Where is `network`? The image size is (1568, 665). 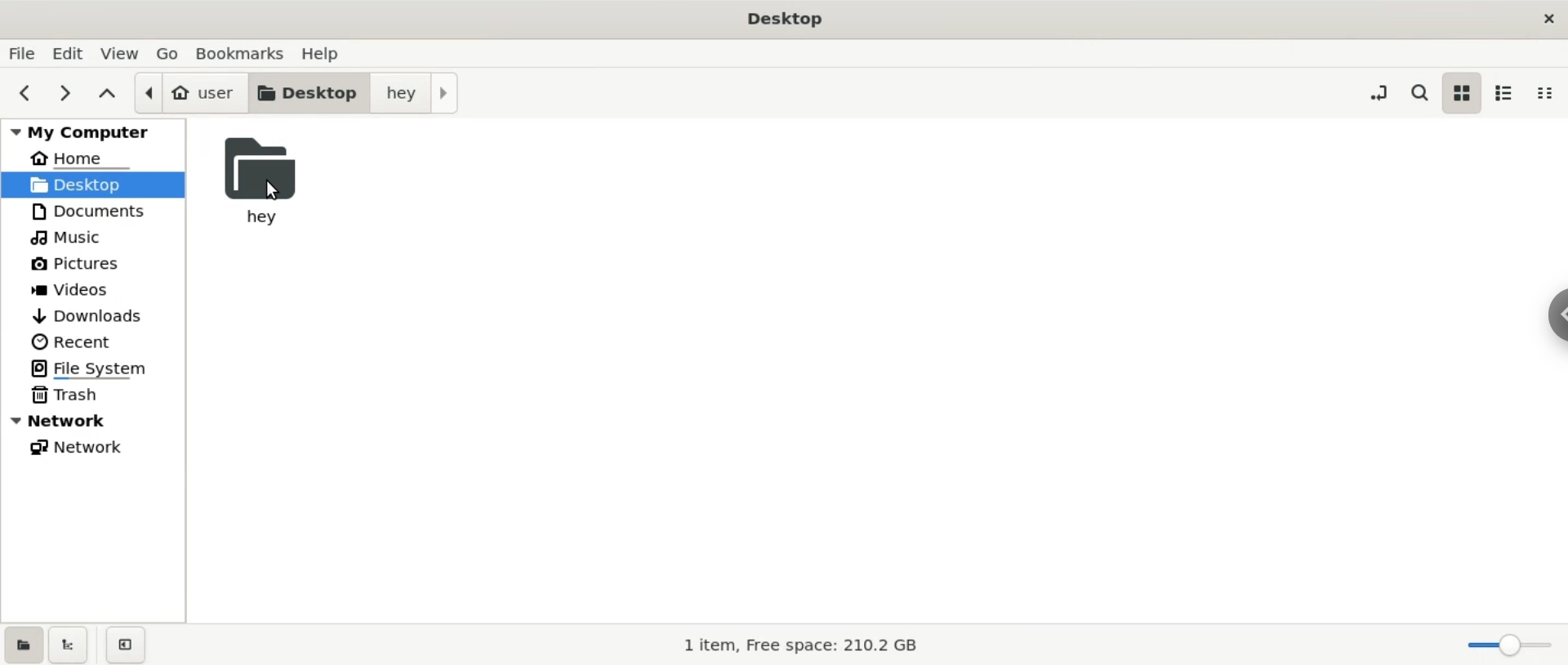
network is located at coordinates (103, 447).